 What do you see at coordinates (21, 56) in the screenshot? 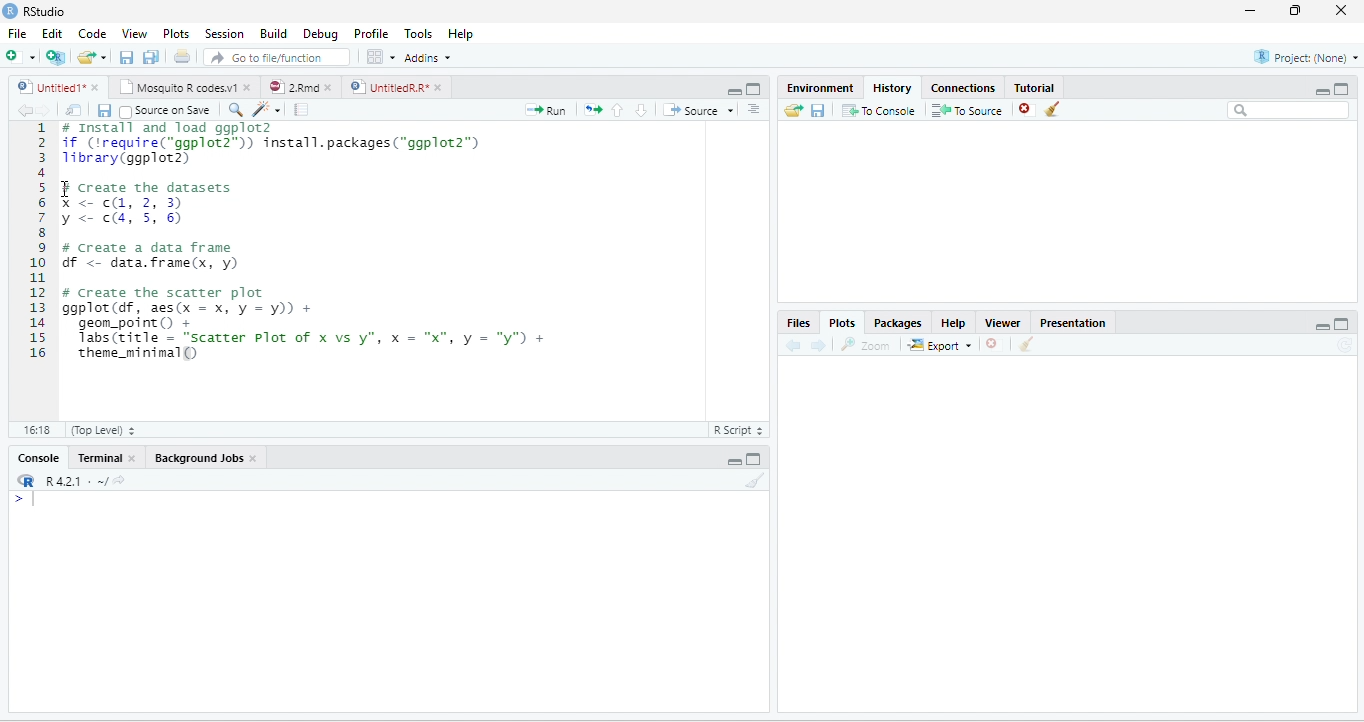
I see `New file` at bounding box center [21, 56].